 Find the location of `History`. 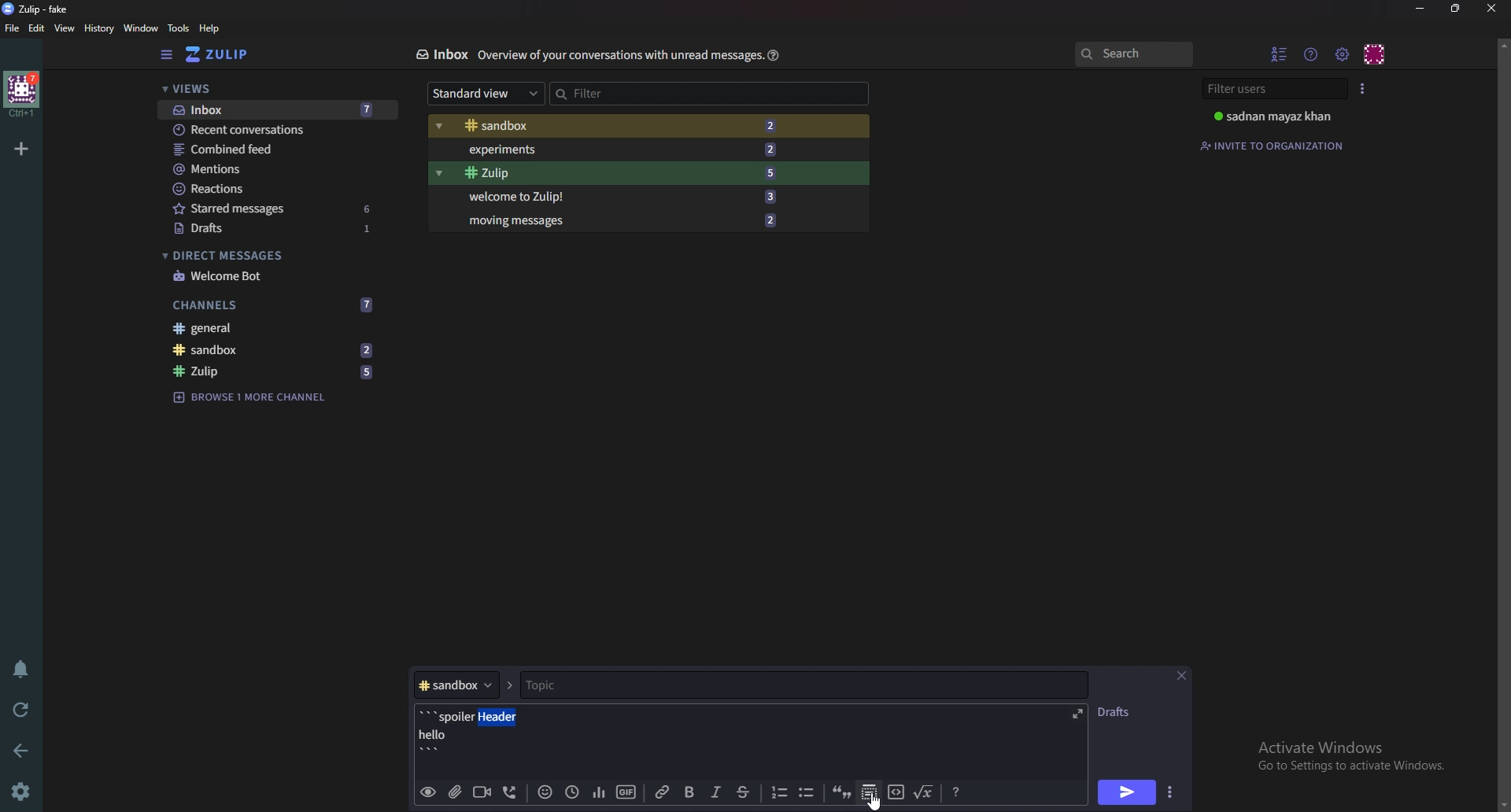

History is located at coordinates (99, 30).